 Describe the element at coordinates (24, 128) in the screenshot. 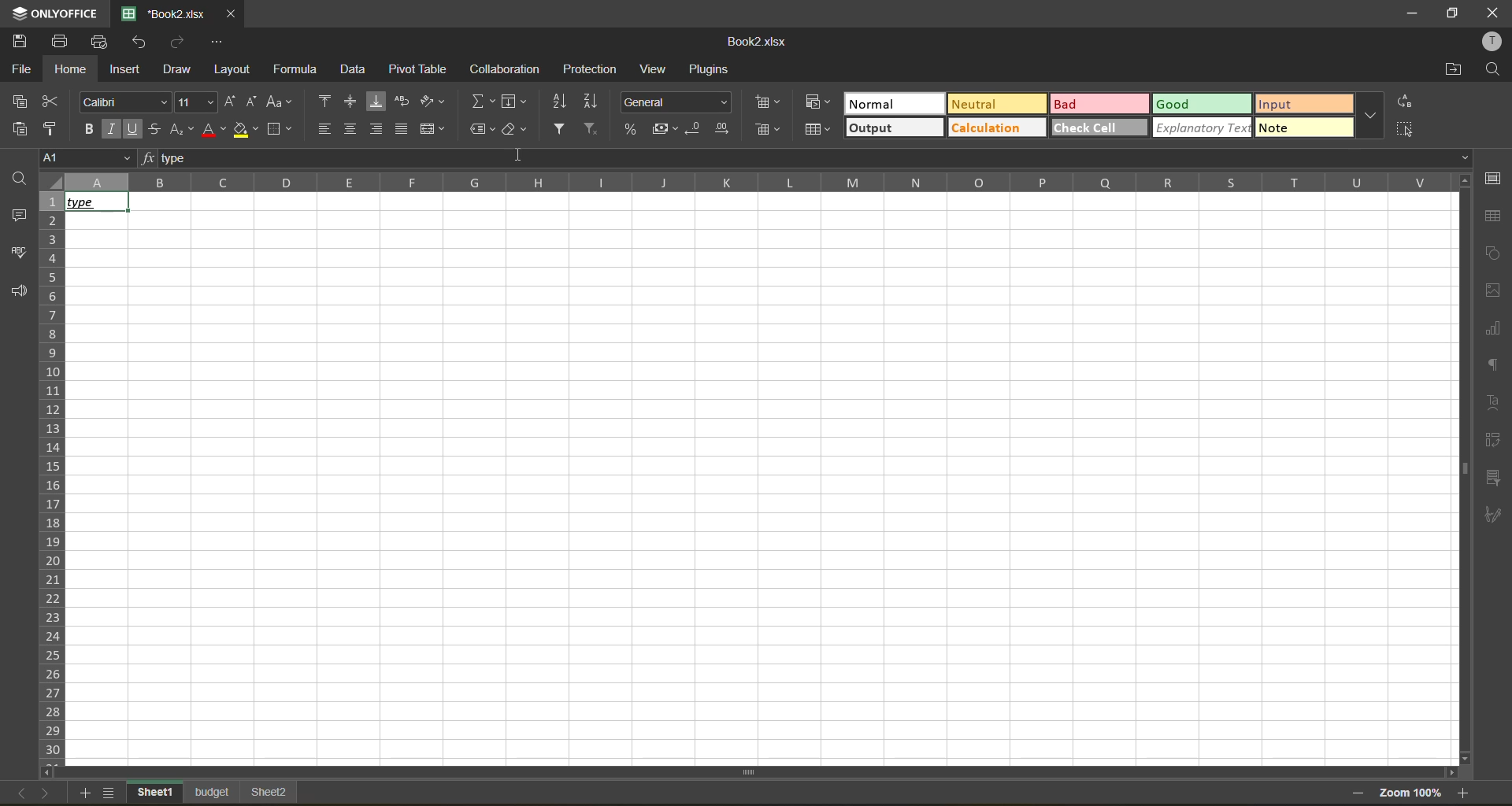

I see `paste` at that location.